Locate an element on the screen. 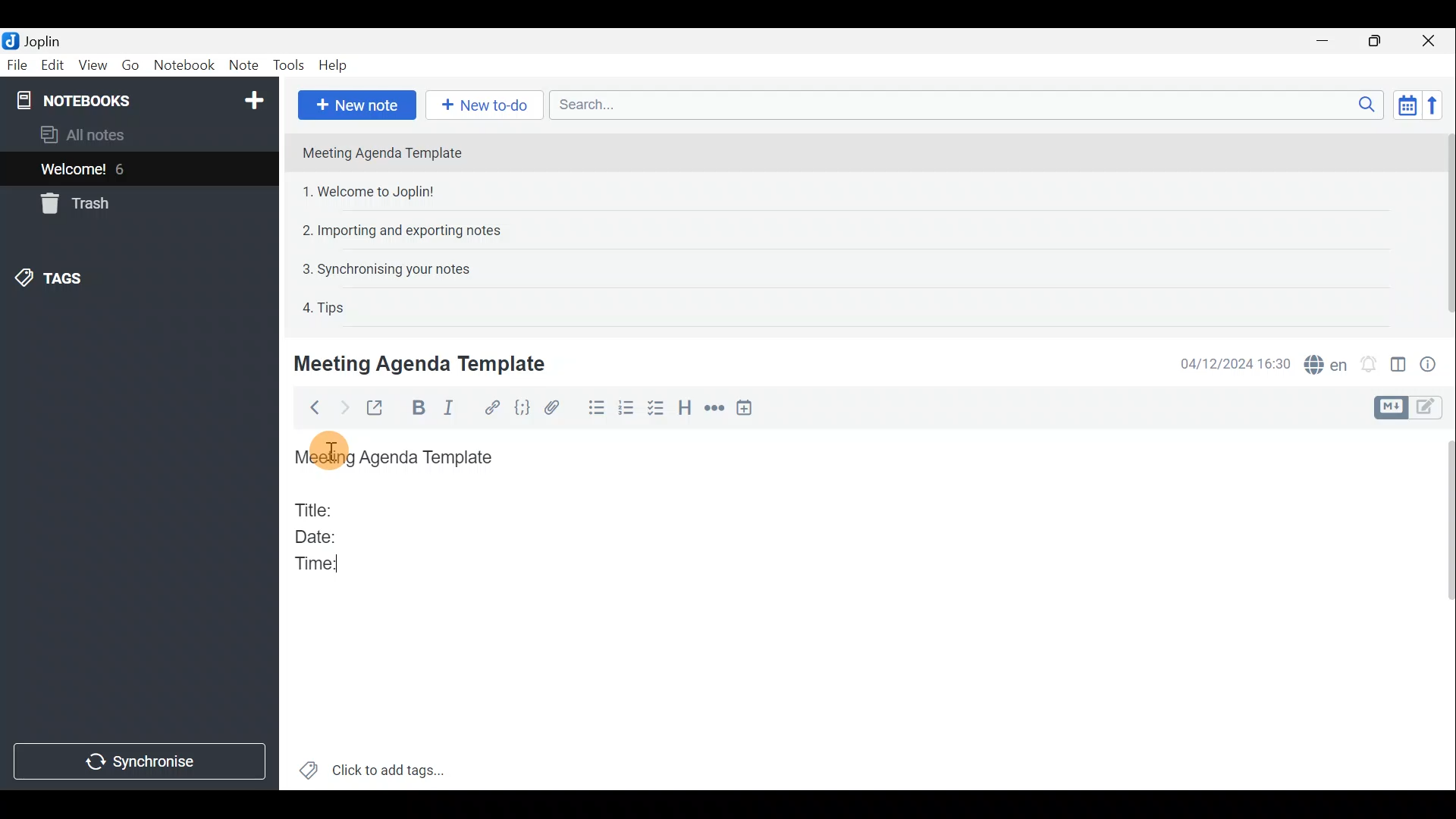 The height and width of the screenshot is (819, 1456). 4. Tips is located at coordinates (325, 307).